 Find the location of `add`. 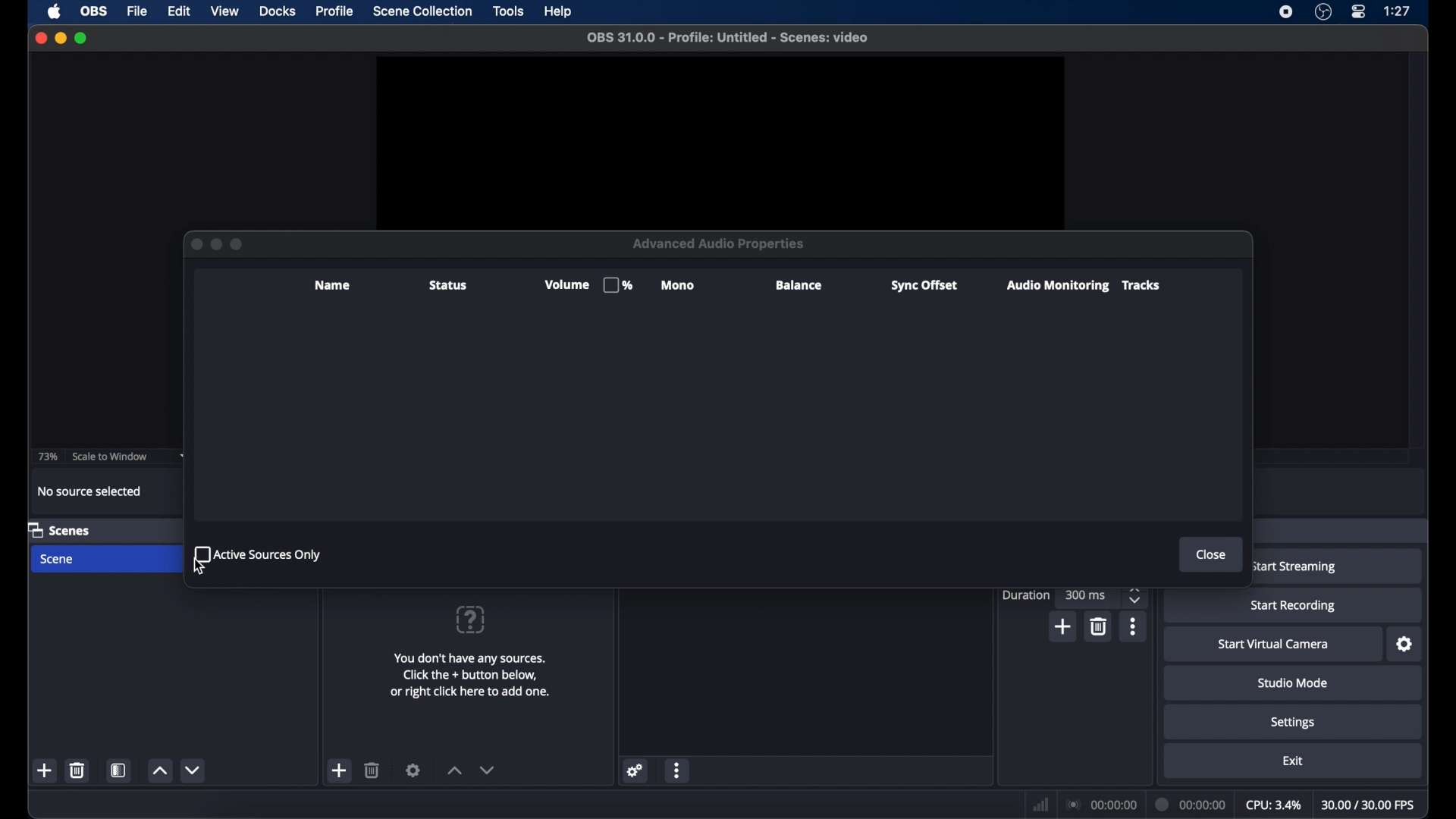

add is located at coordinates (45, 770).